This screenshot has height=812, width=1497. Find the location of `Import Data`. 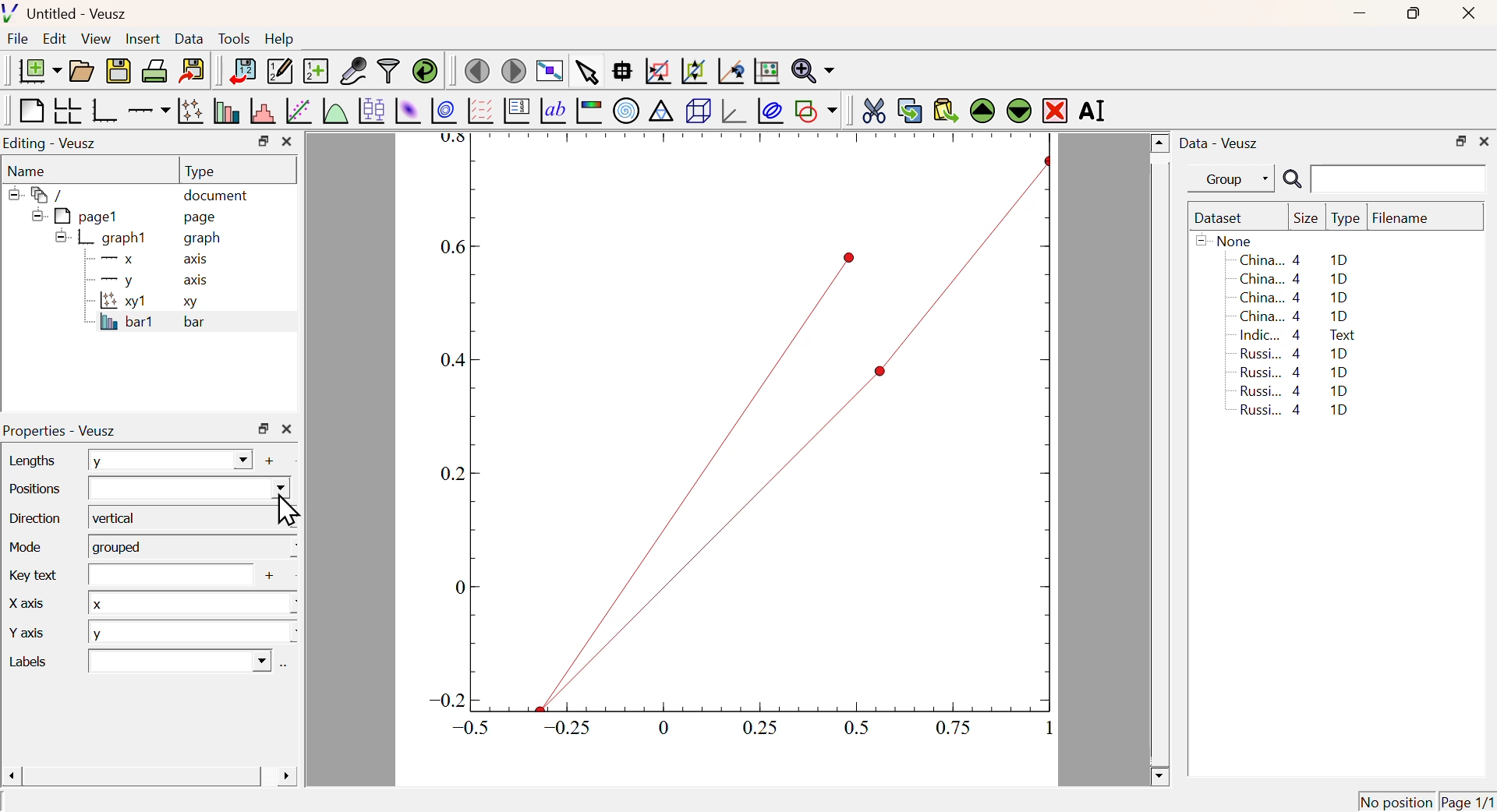

Import Data is located at coordinates (242, 71).